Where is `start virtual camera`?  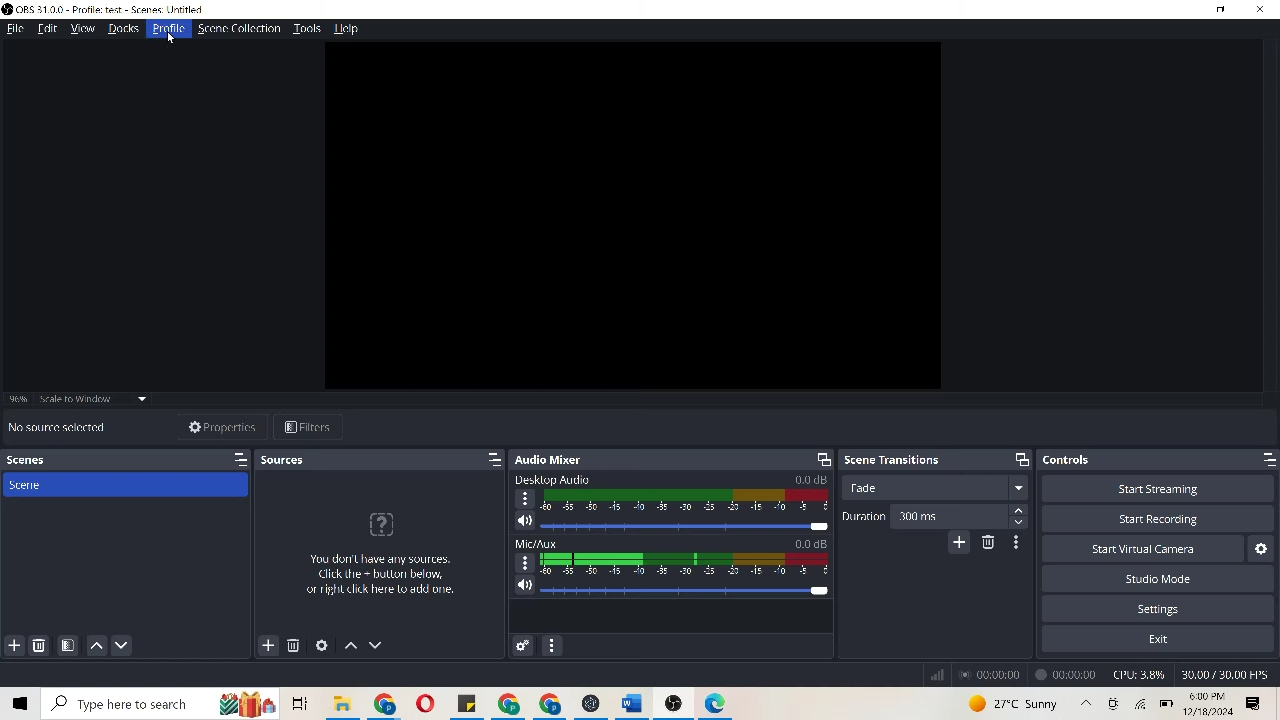 start virtual camera is located at coordinates (1156, 552).